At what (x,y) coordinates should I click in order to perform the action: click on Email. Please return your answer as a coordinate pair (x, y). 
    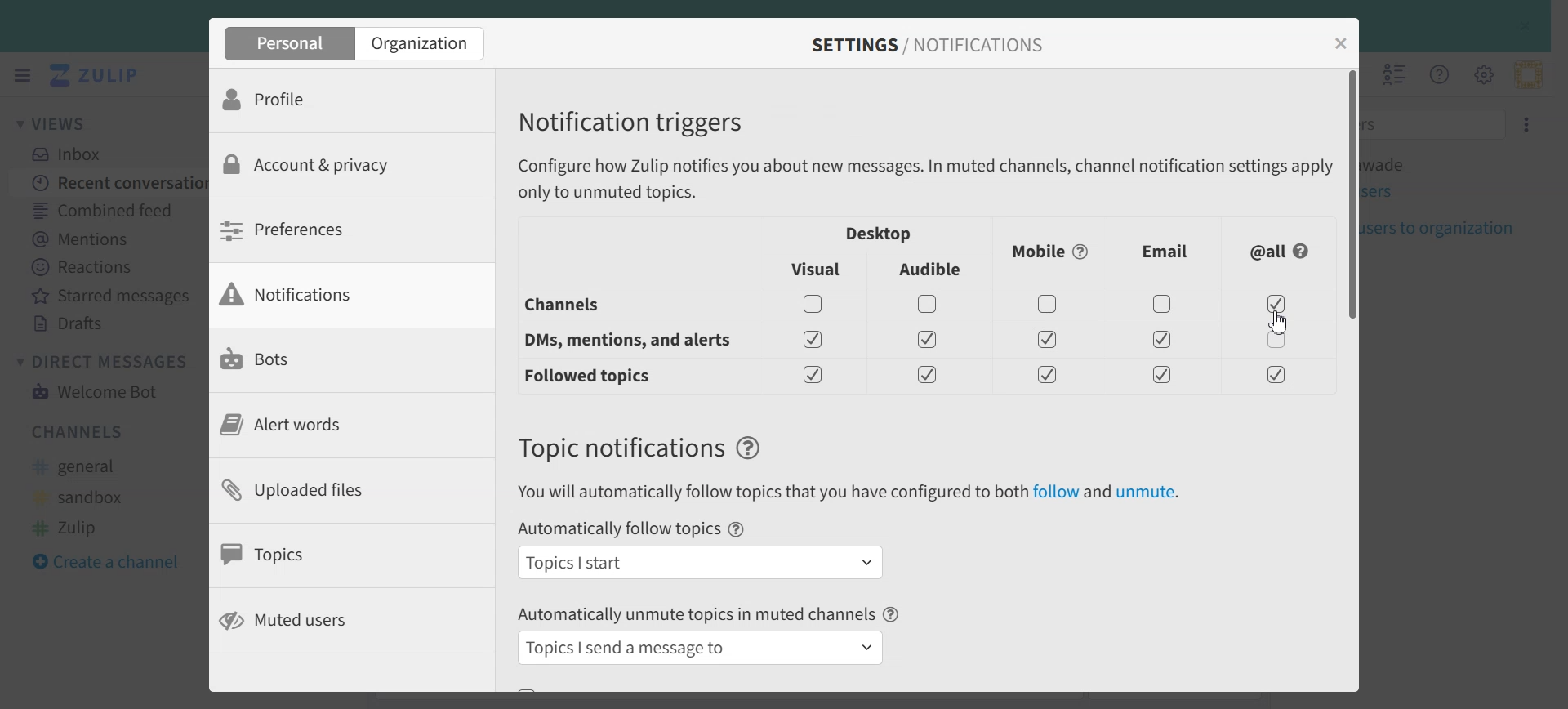
    Looking at the image, I should click on (1165, 252).